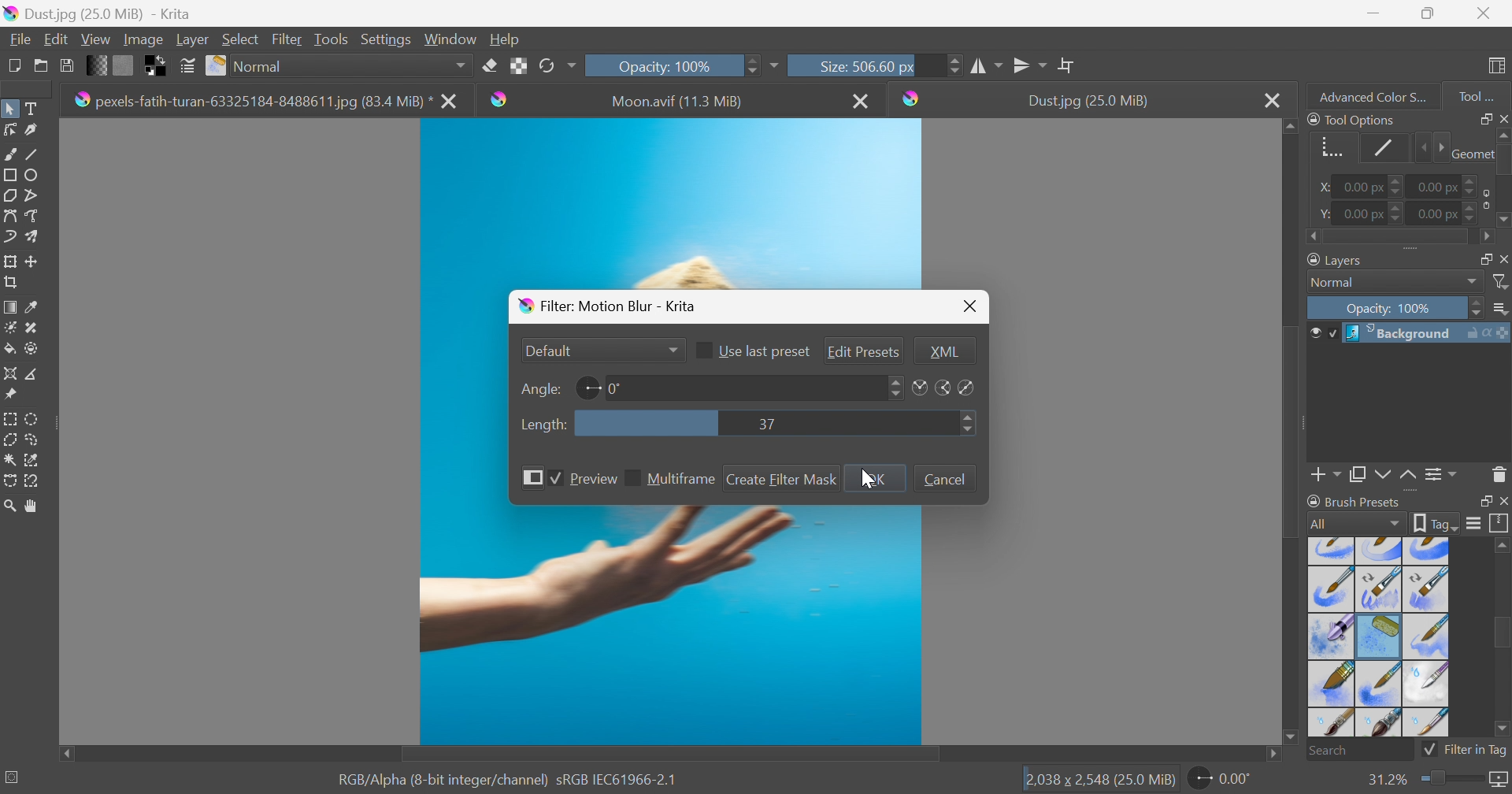 This screenshot has height=794, width=1512. Describe the element at coordinates (158, 66) in the screenshot. I see `Swap foreground and background color` at that location.